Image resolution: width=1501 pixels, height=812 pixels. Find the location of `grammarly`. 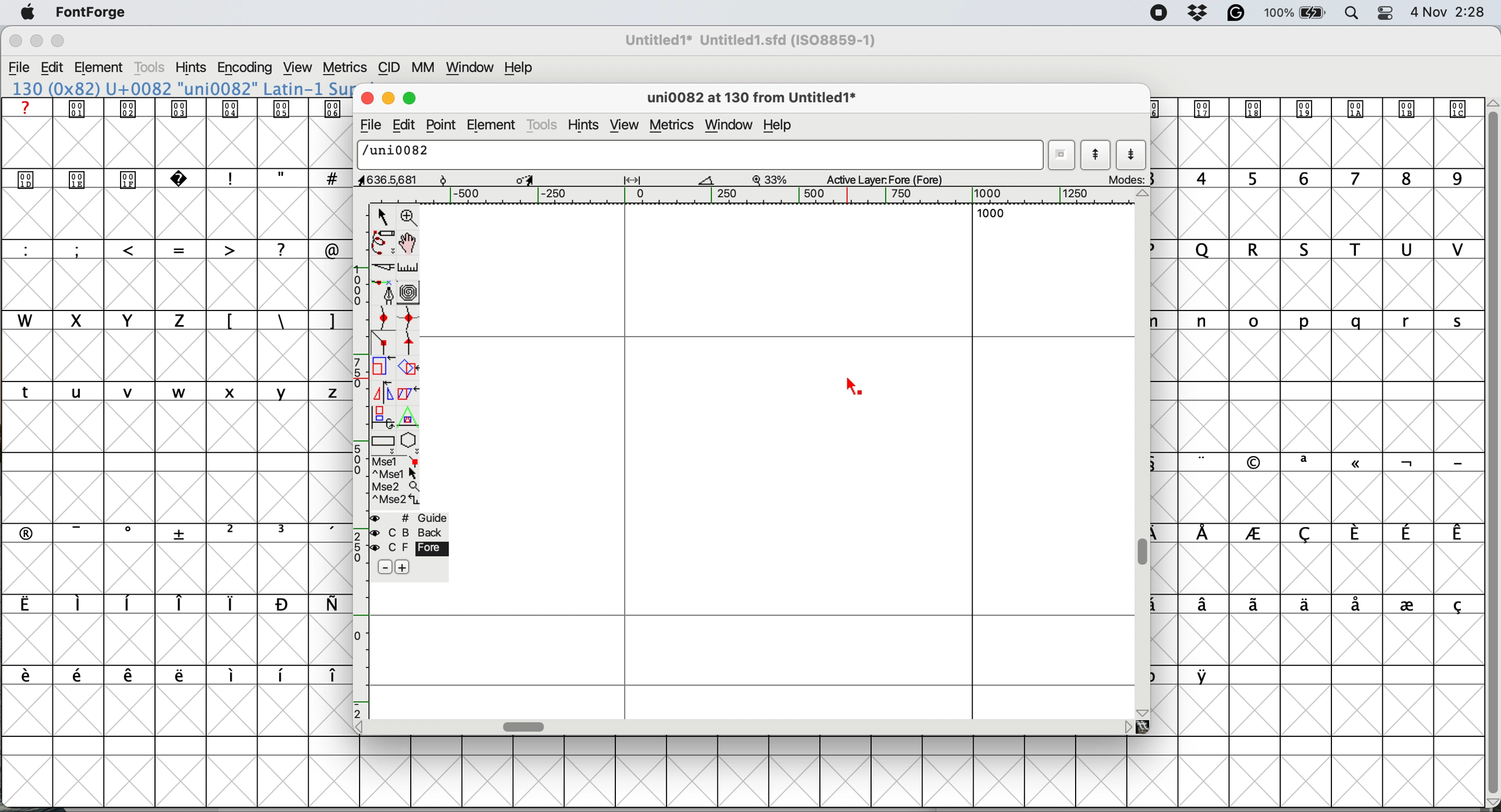

grammarly is located at coordinates (1238, 14).